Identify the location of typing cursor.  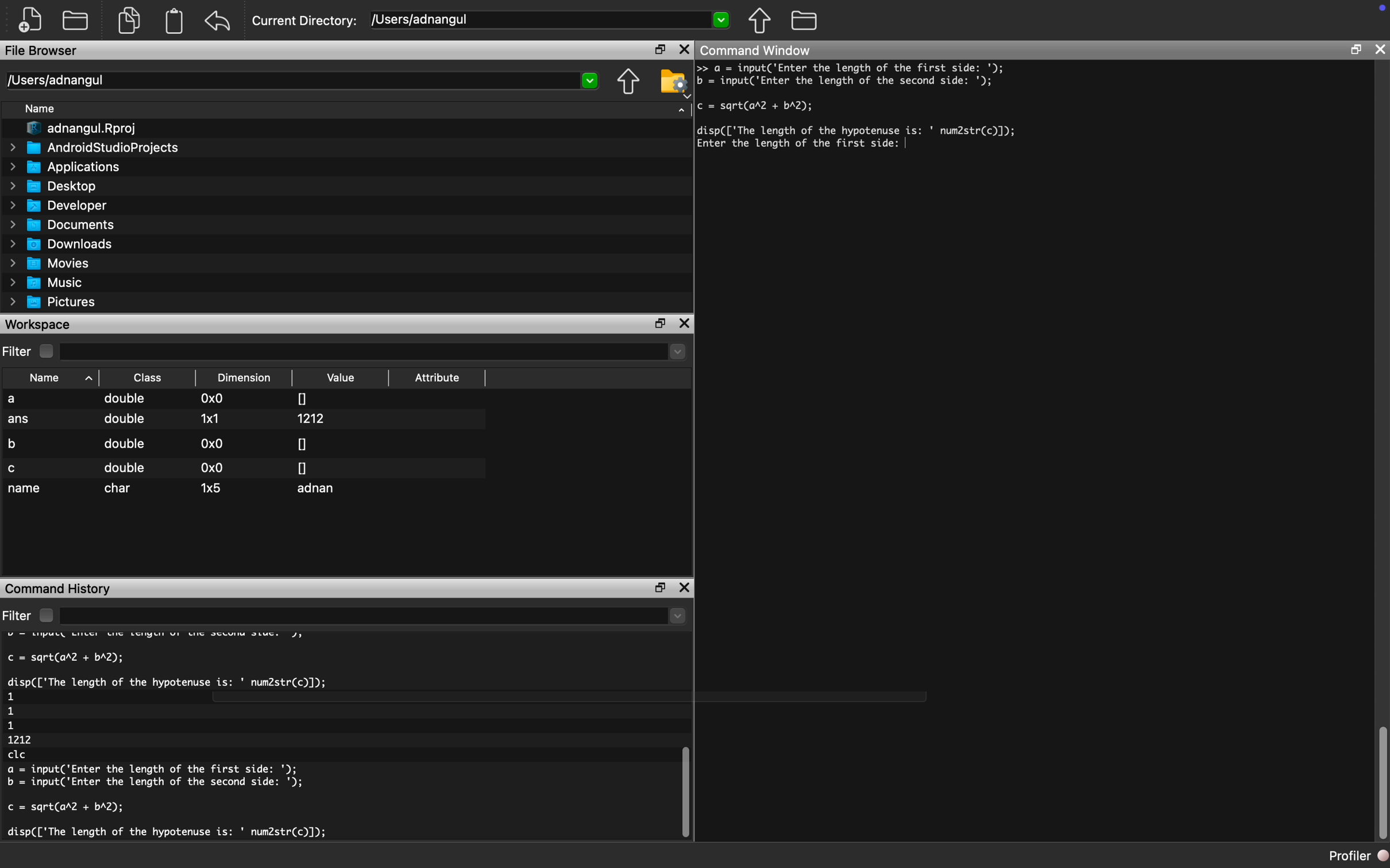
(907, 151).